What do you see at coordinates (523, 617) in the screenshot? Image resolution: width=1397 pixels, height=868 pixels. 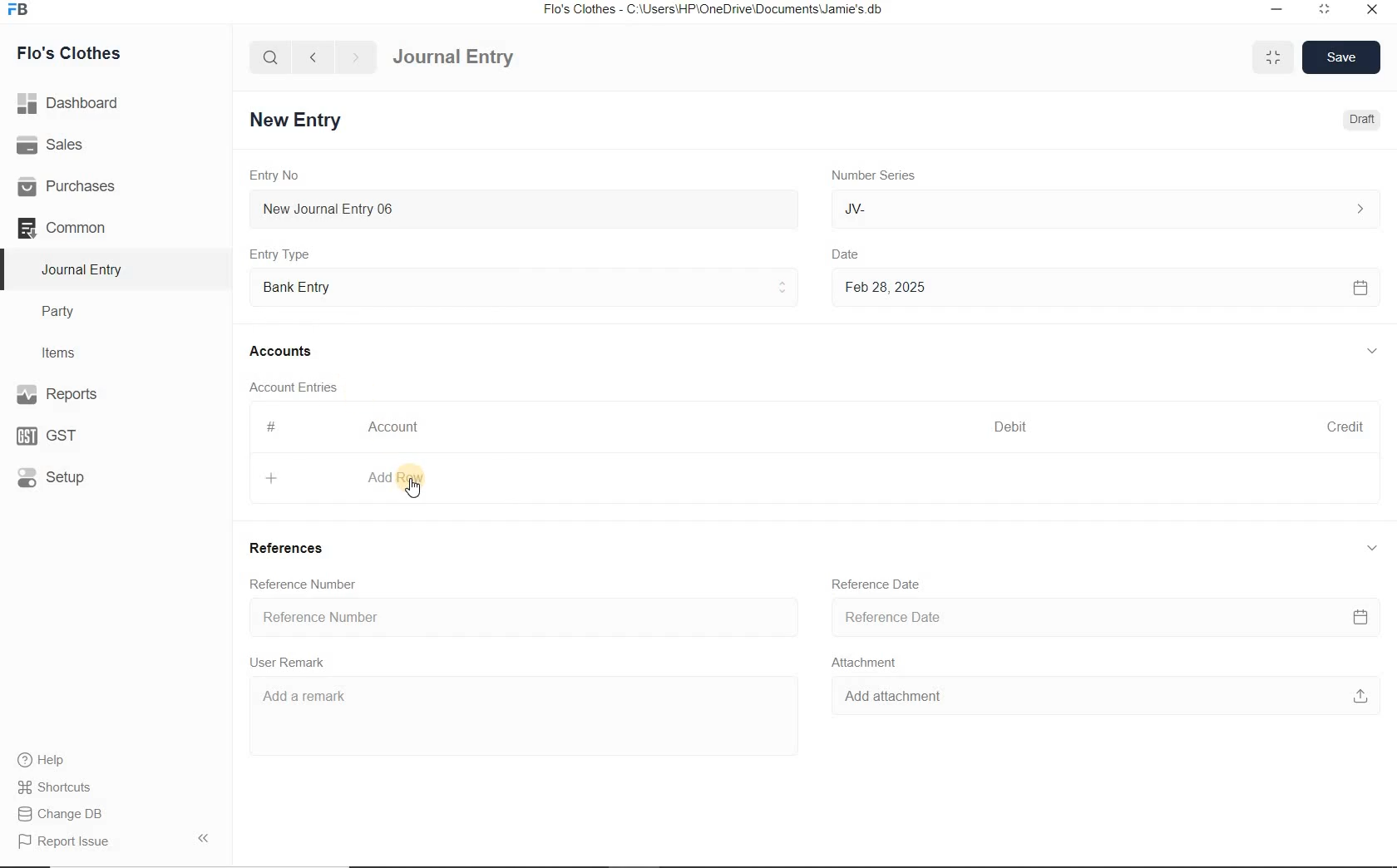 I see `Reference Number` at bounding box center [523, 617].